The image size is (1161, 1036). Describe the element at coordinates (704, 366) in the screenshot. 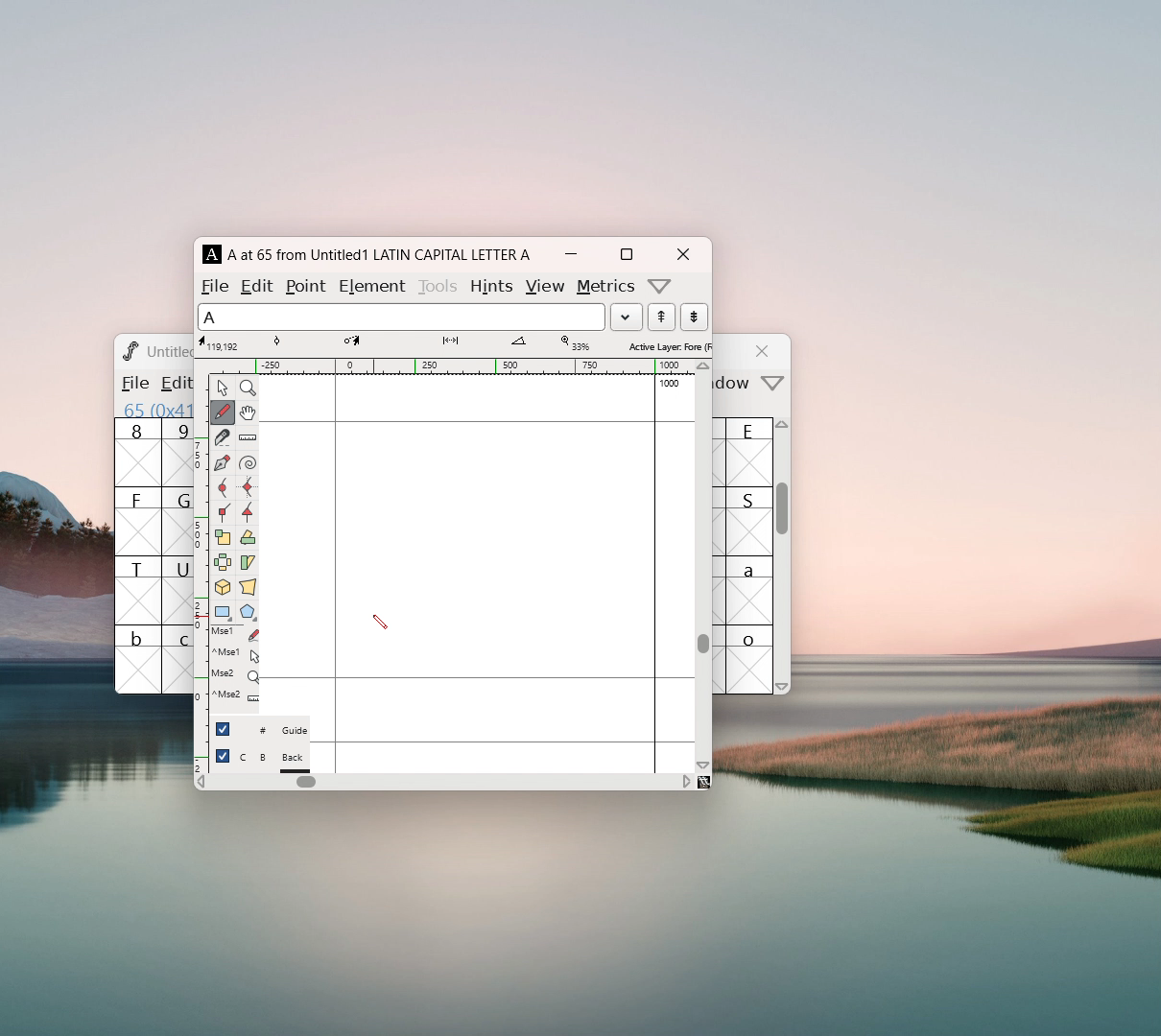

I see `scroll up` at that location.